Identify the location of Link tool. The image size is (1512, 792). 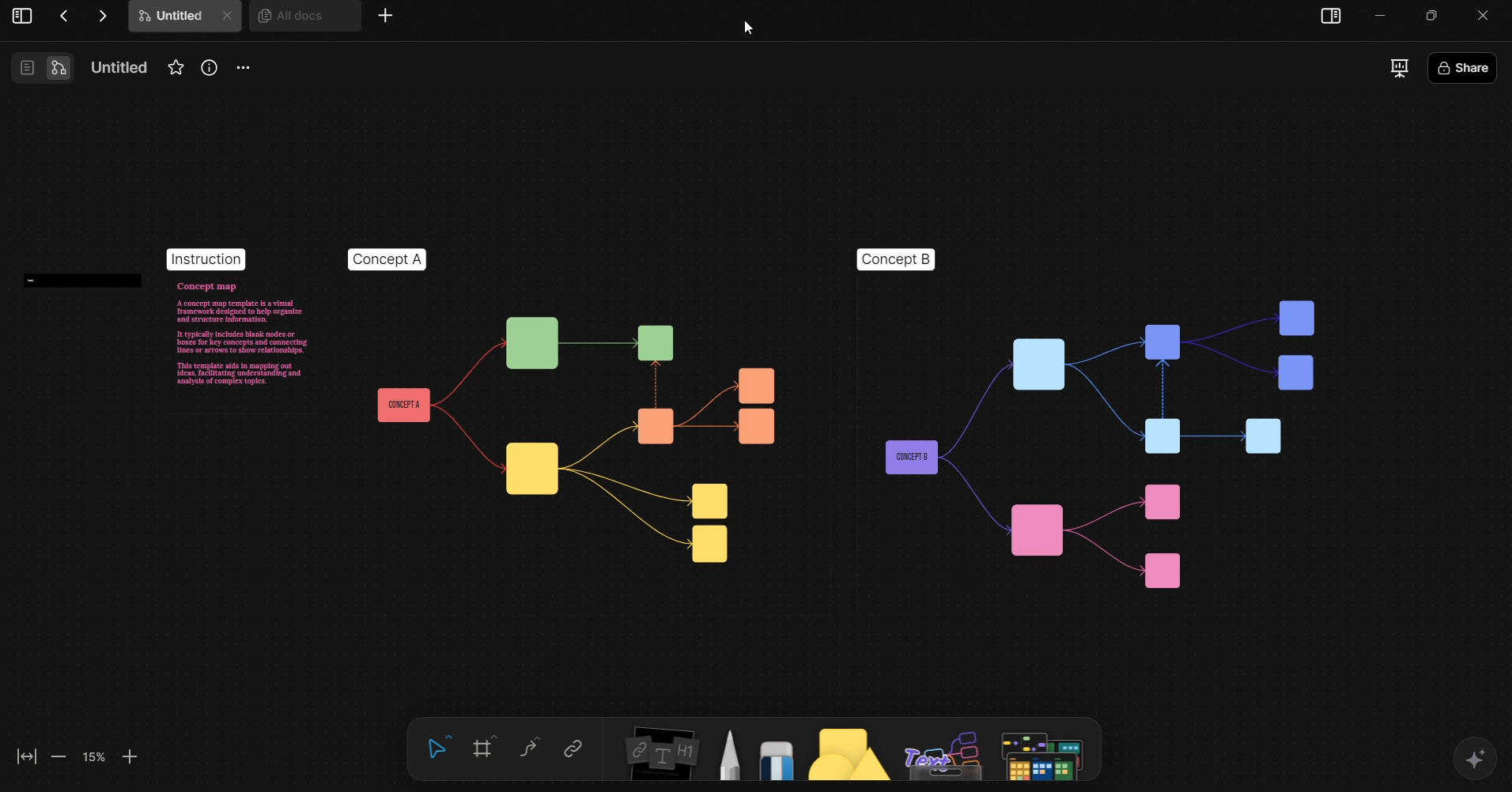
(573, 749).